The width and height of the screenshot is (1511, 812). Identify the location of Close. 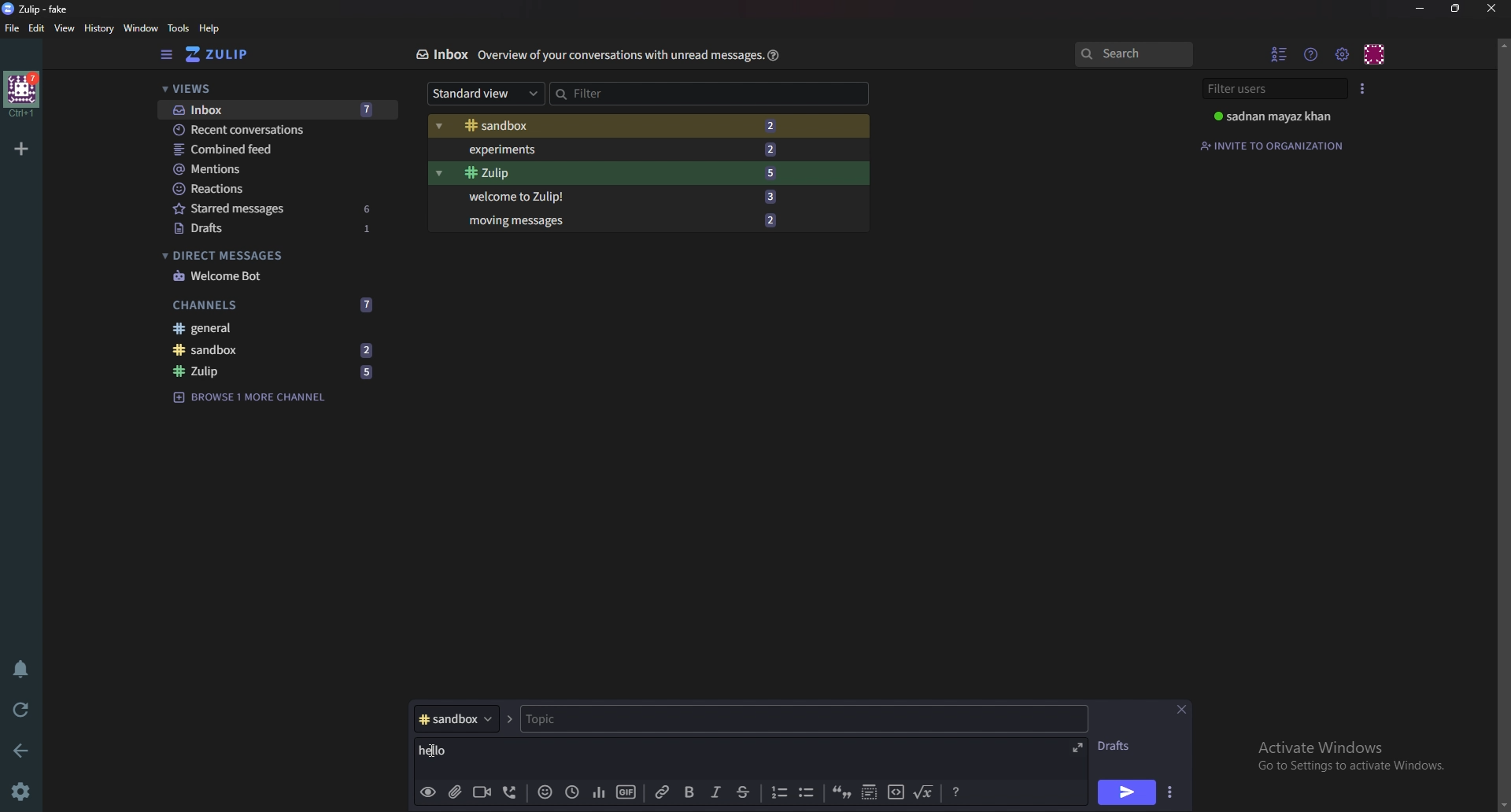
(1494, 9).